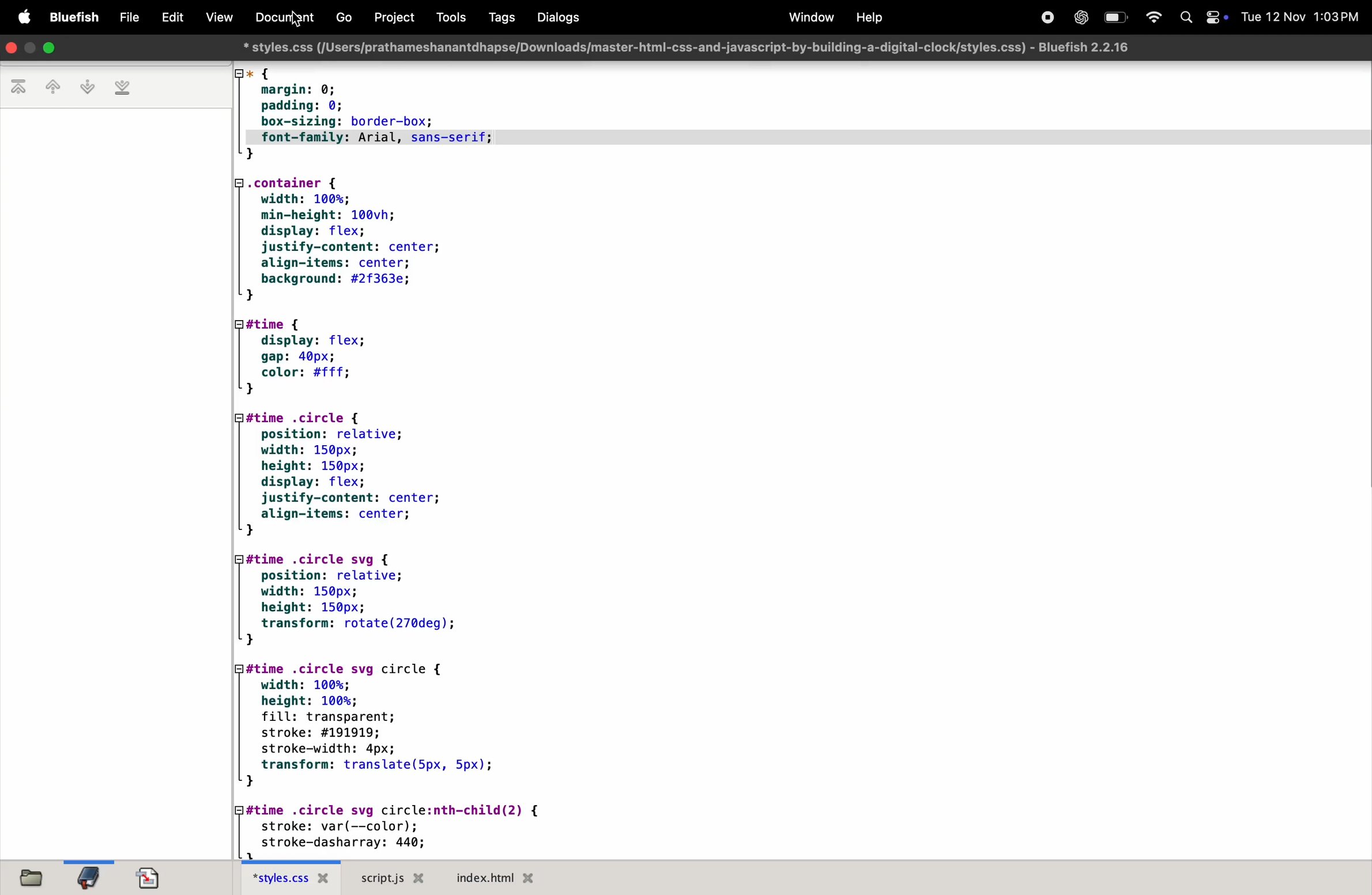 The width and height of the screenshot is (1372, 895). I want to click on script.js, so click(393, 878).